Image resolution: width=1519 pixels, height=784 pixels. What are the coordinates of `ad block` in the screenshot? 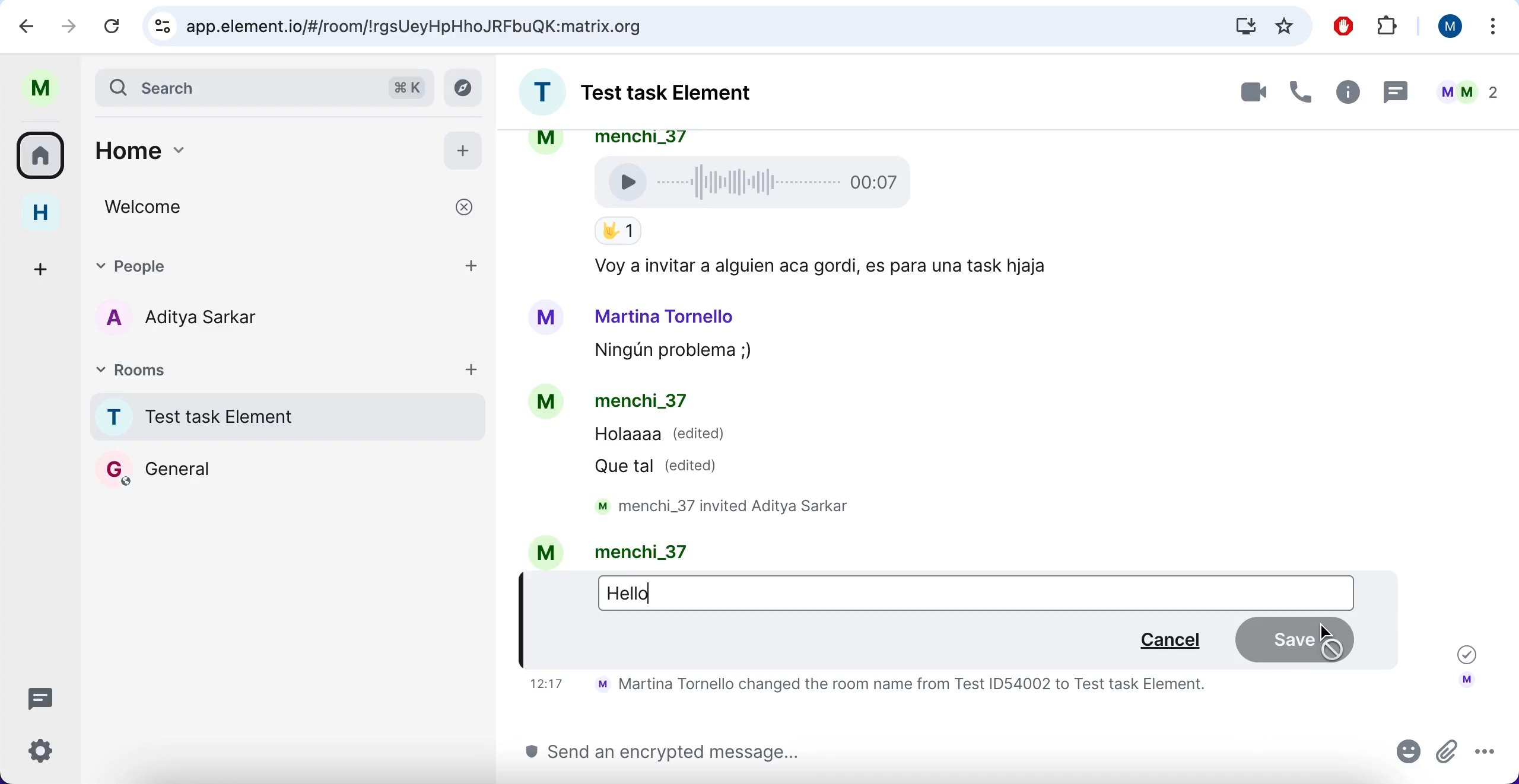 It's located at (1345, 26).